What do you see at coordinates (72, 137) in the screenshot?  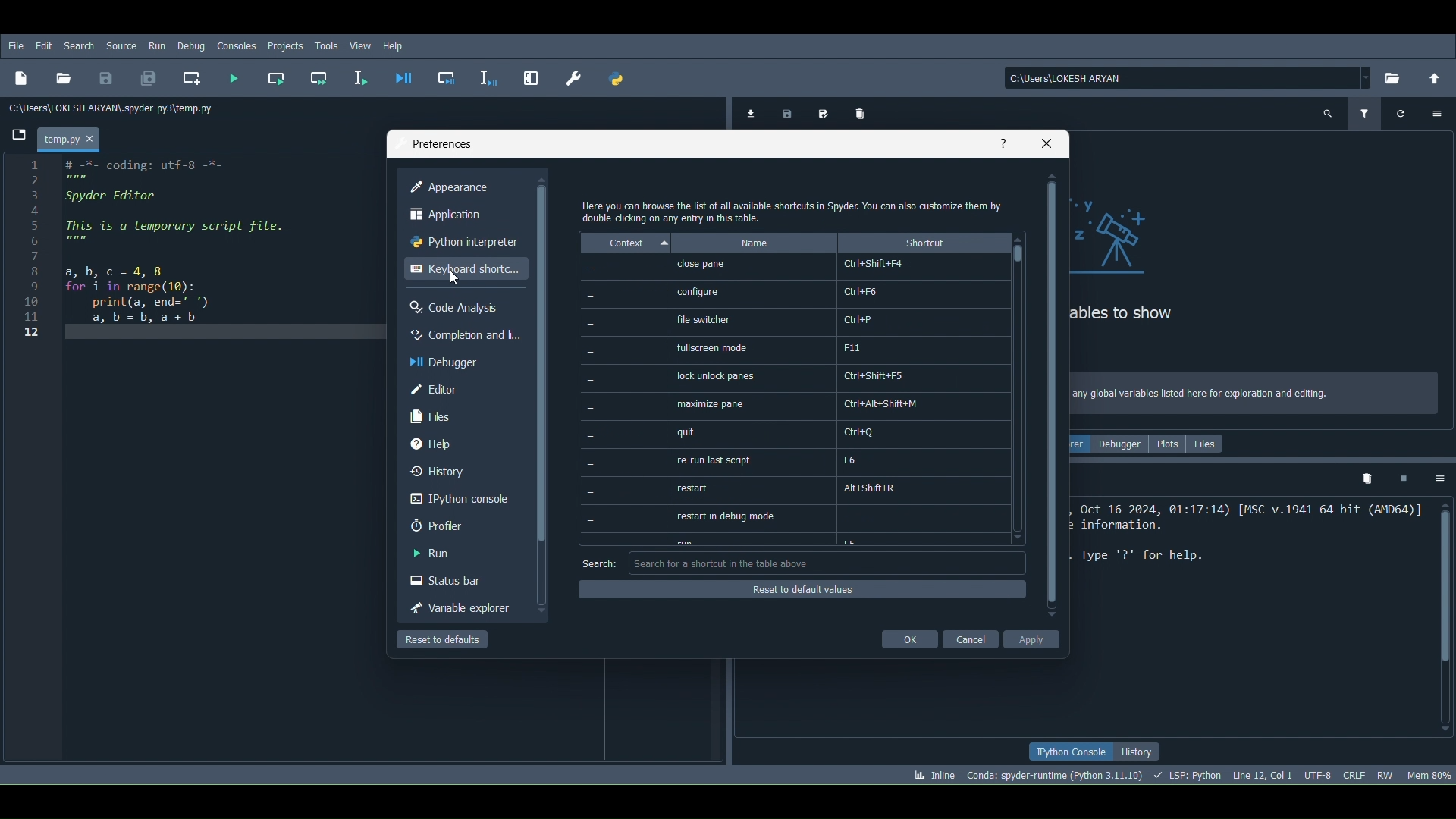 I see `File name` at bounding box center [72, 137].